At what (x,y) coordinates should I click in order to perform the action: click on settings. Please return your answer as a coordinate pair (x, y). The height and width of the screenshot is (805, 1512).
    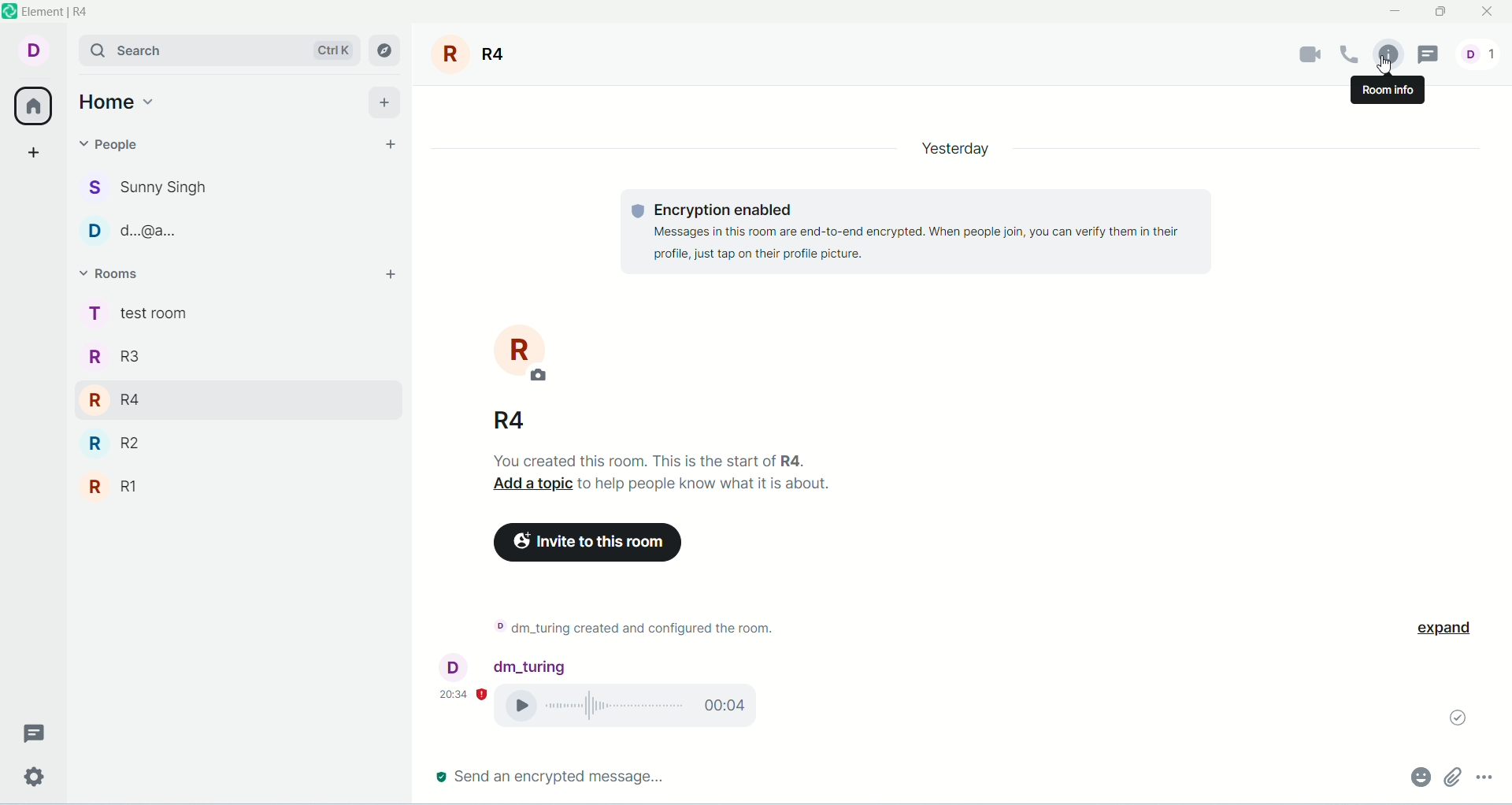
    Looking at the image, I should click on (32, 777).